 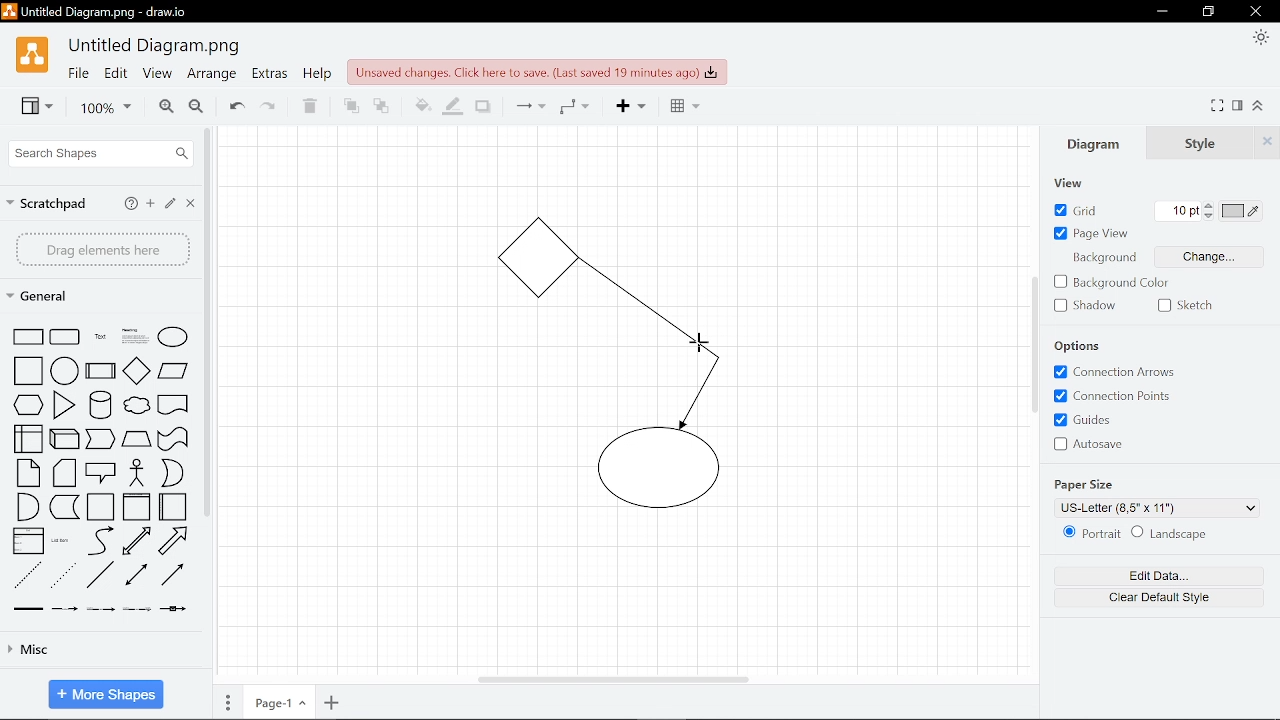 I want to click on Untitled Diagram.png, so click(x=156, y=47).